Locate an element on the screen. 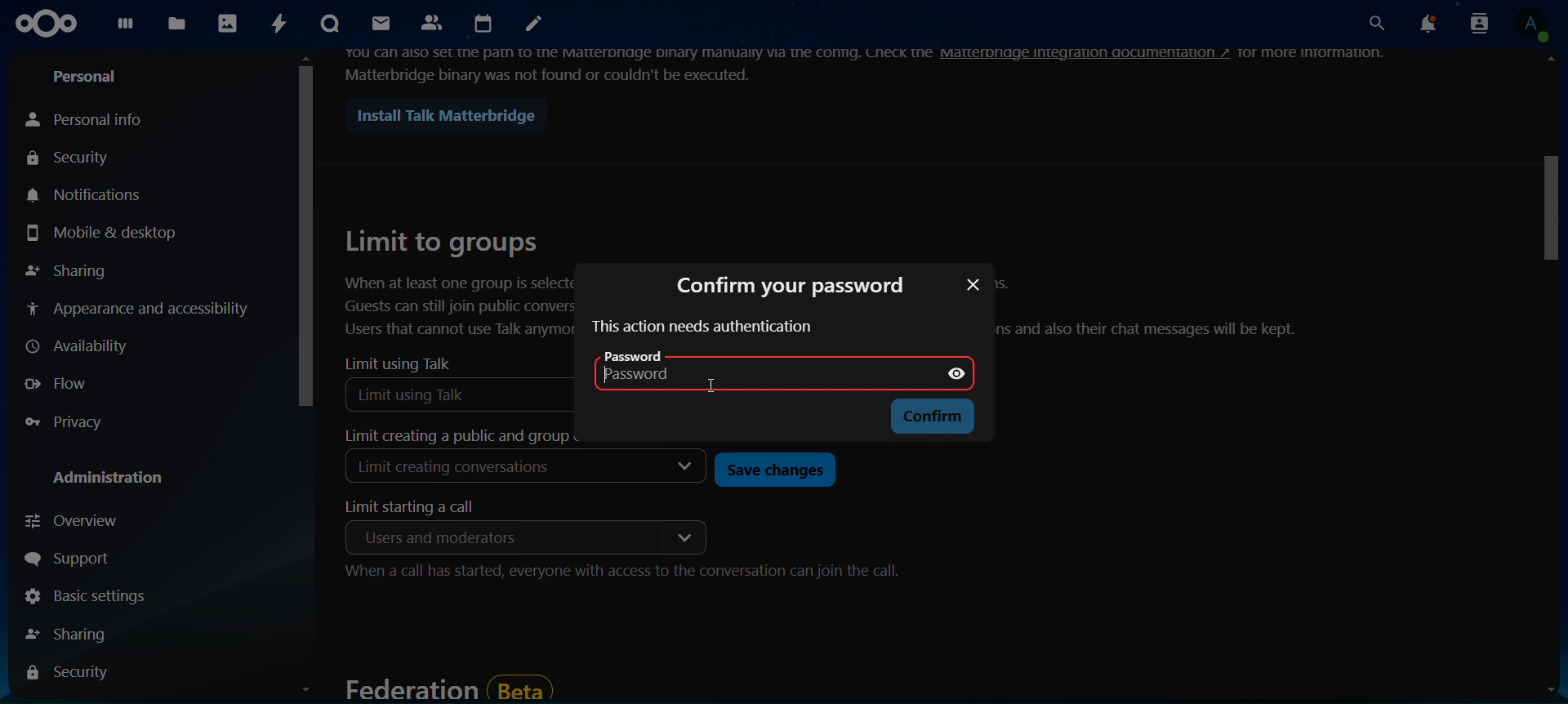 The width and height of the screenshot is (1568, 704). activity is located at coordinates (280, 23).